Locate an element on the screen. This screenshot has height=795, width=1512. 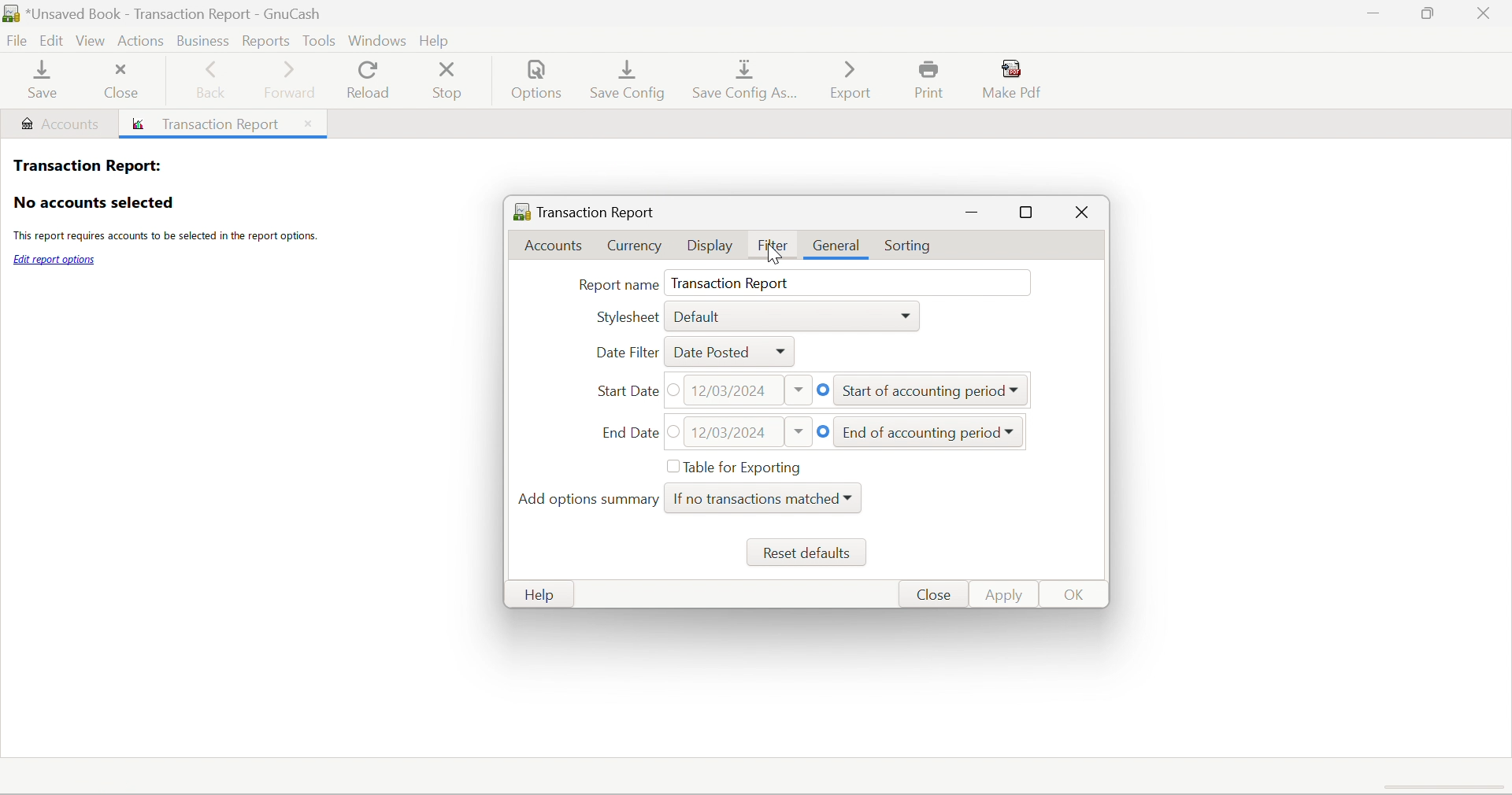
Restore Down is located at coordinates (1425, 14).